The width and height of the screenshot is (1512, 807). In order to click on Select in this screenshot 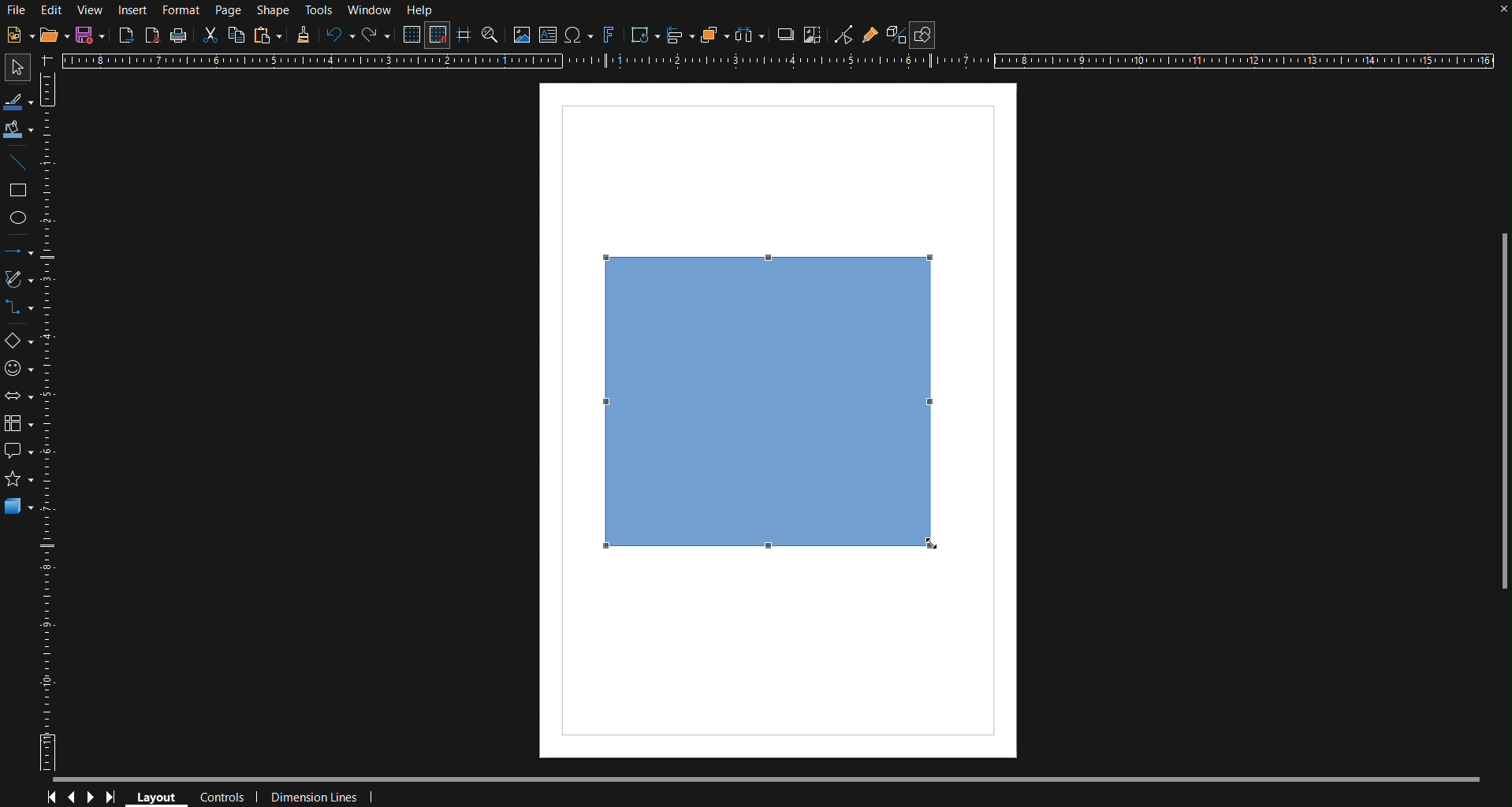, I will do `click(18, 68)`.